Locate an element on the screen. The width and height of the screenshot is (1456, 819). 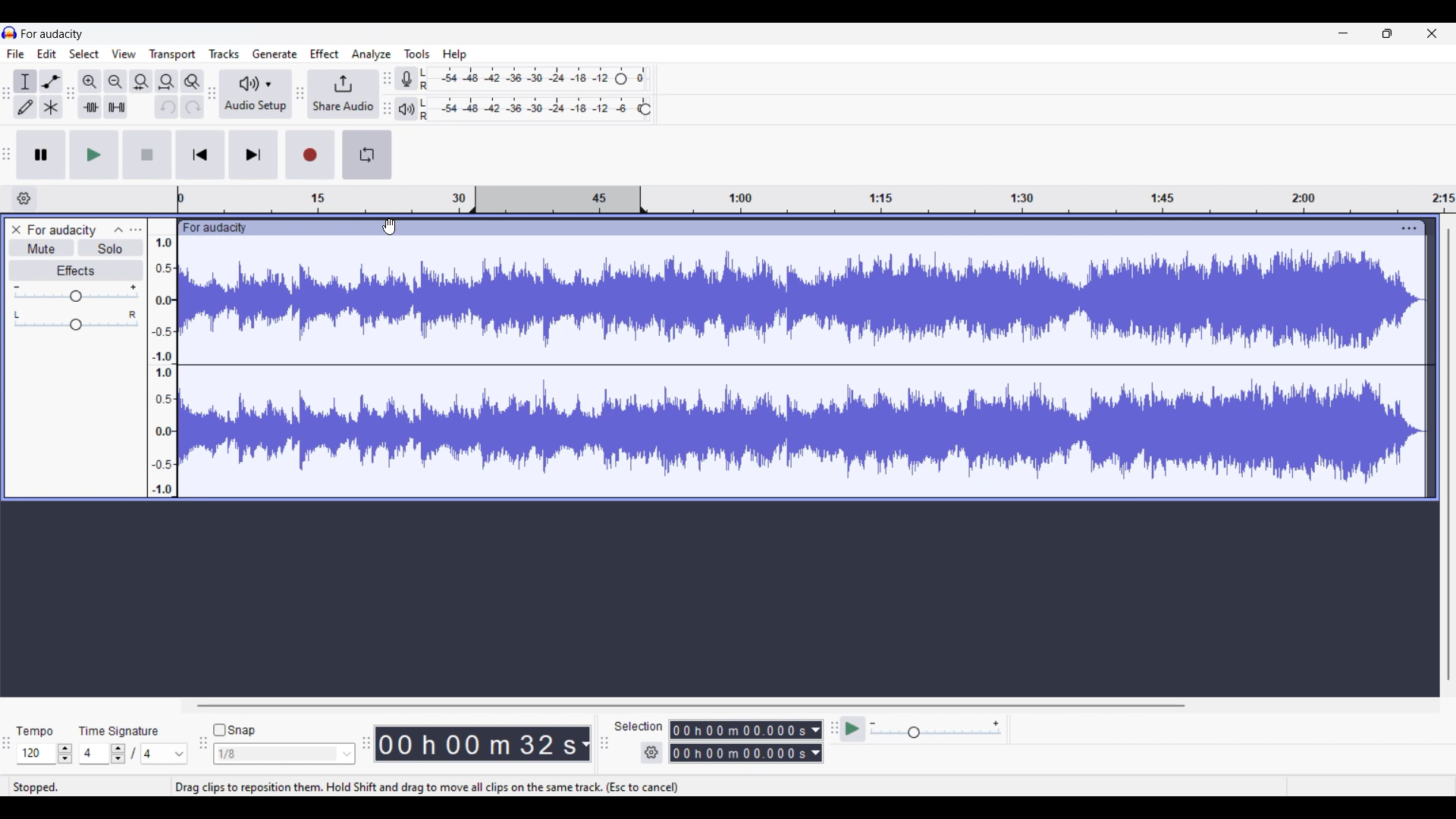
Effects is located at coordinates (77, 271).